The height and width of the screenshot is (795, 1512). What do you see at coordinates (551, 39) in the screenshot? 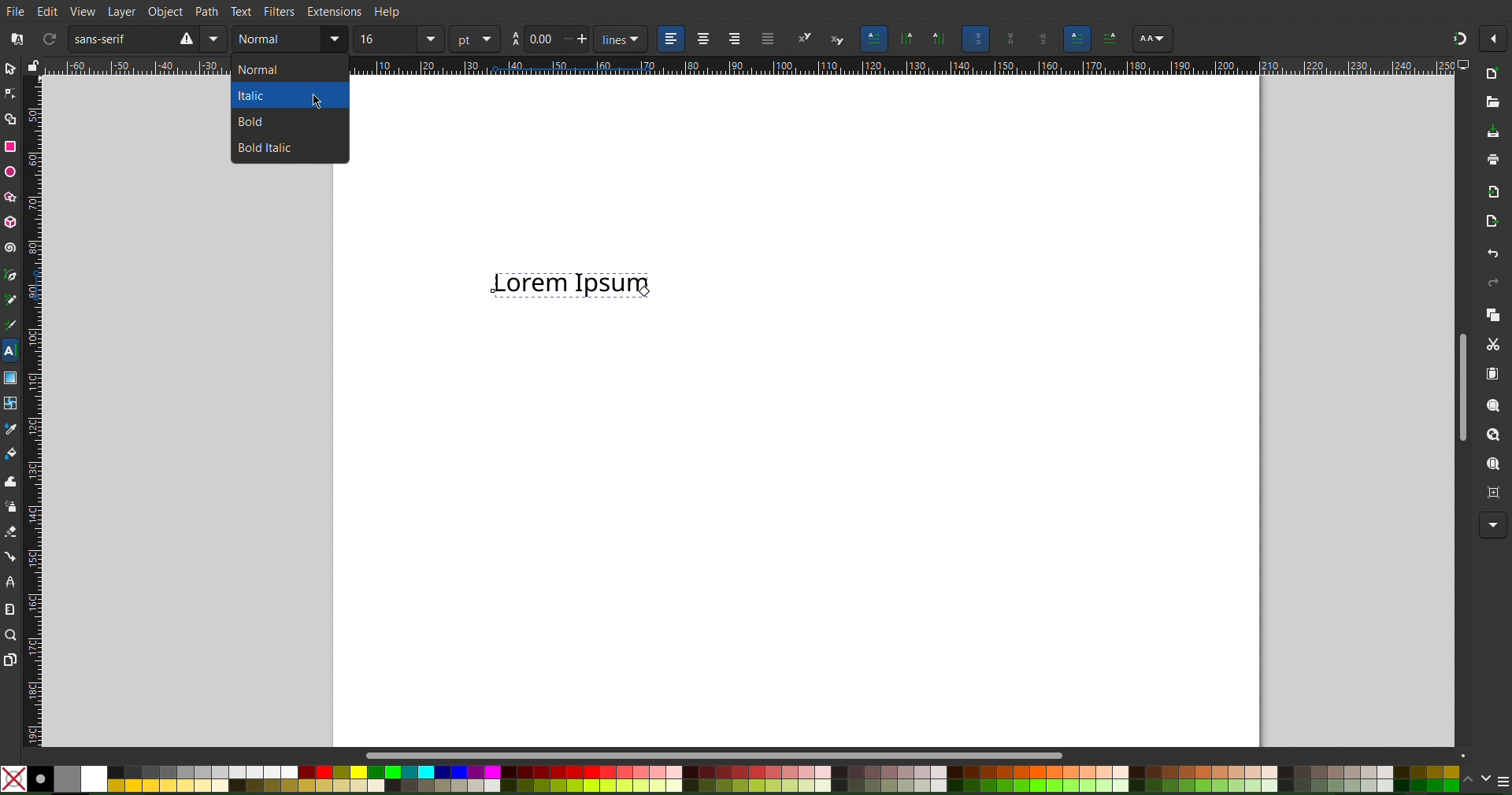
I see `Spacing between lines` at bounding box center [551, 39].